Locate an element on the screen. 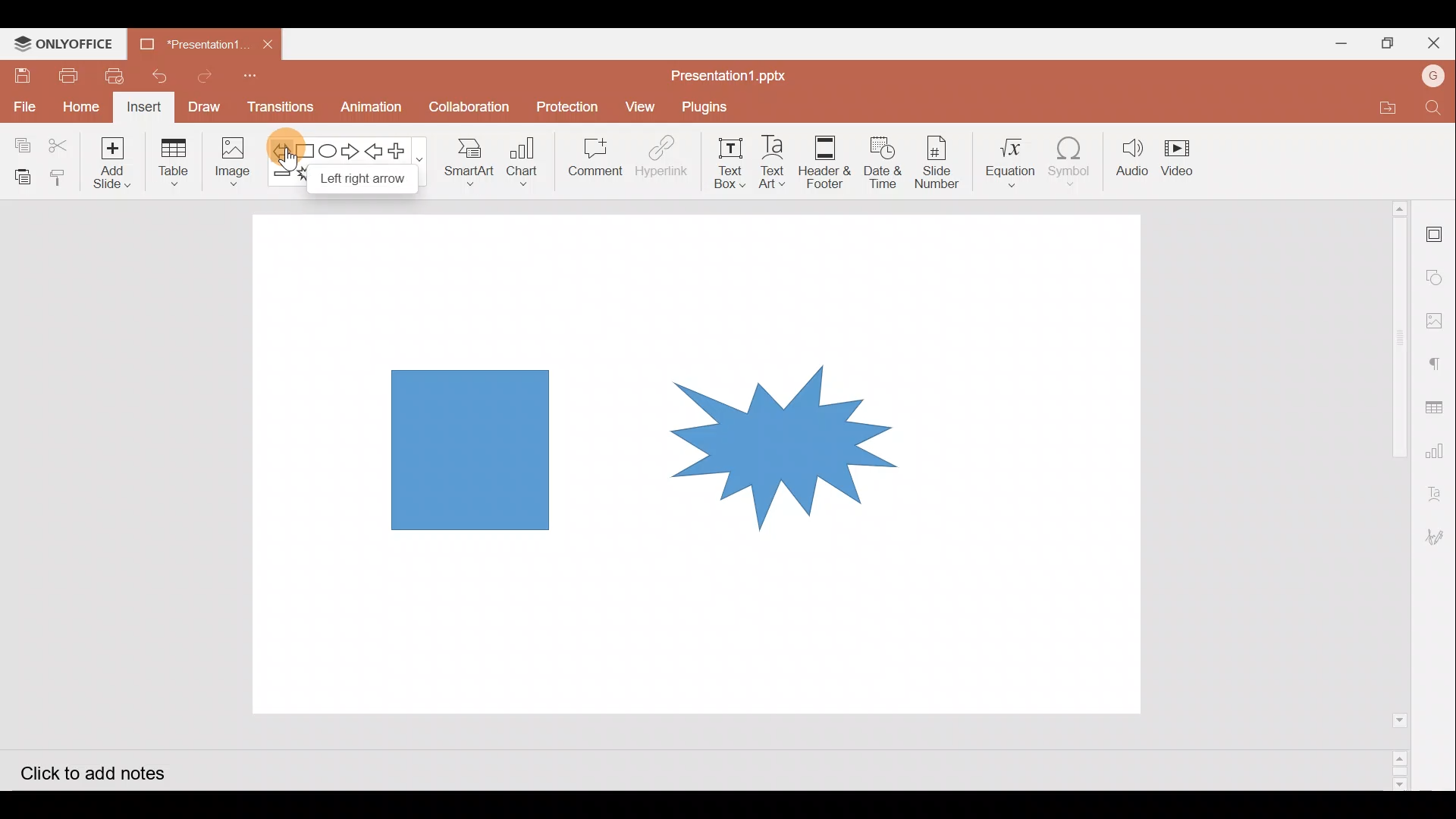 This screenshot has height=819, width=1456. Minus is located at coordinates (279, 177).